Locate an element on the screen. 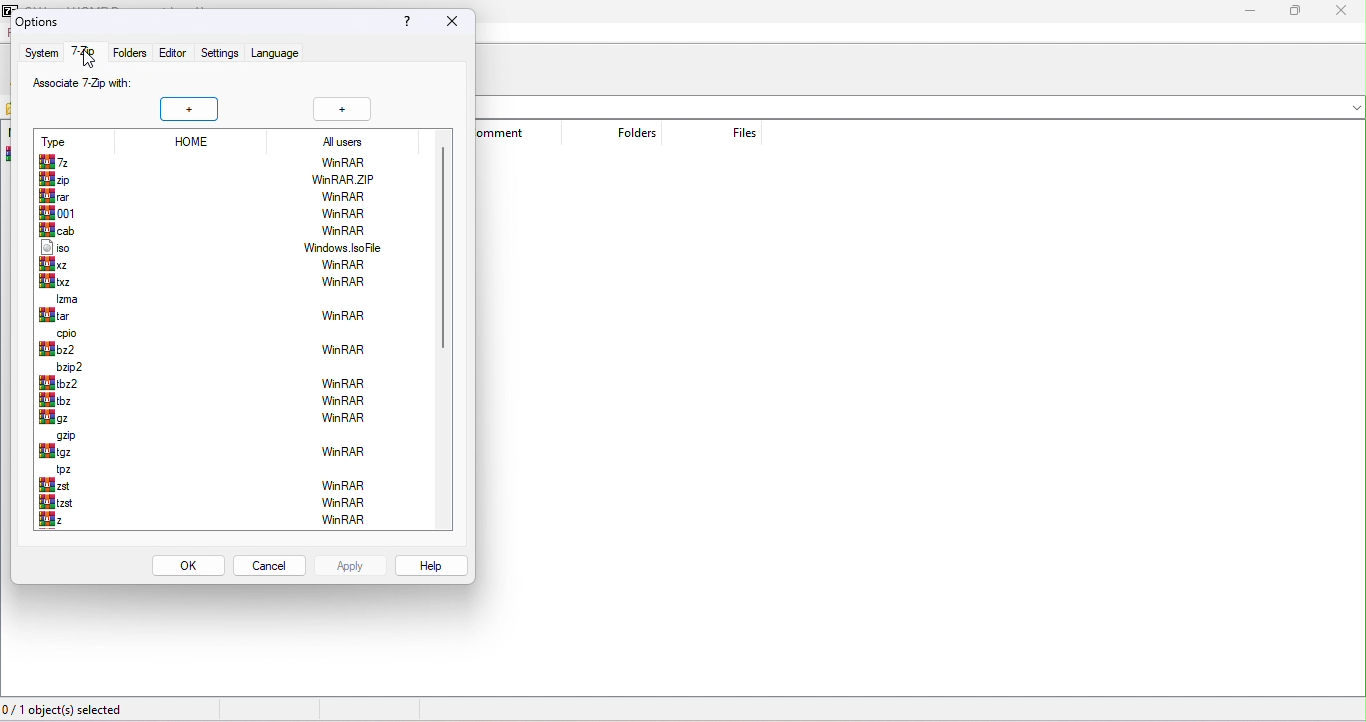 This screenshot has width=1366, height=722. winrar is located at coordinates (348, 282).